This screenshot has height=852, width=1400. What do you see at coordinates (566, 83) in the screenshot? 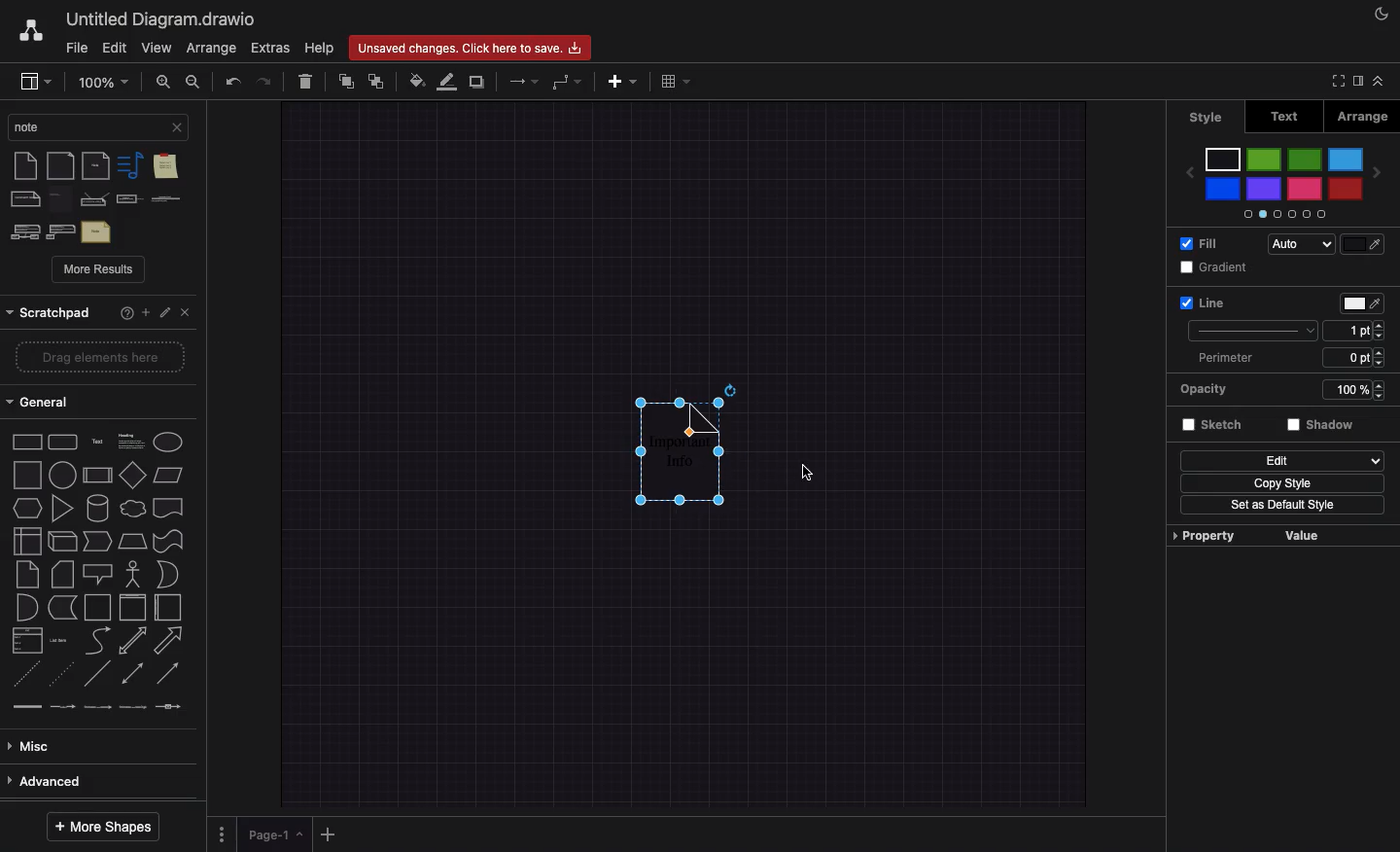
I see `Waypoint` at bounding box center [566, 83].